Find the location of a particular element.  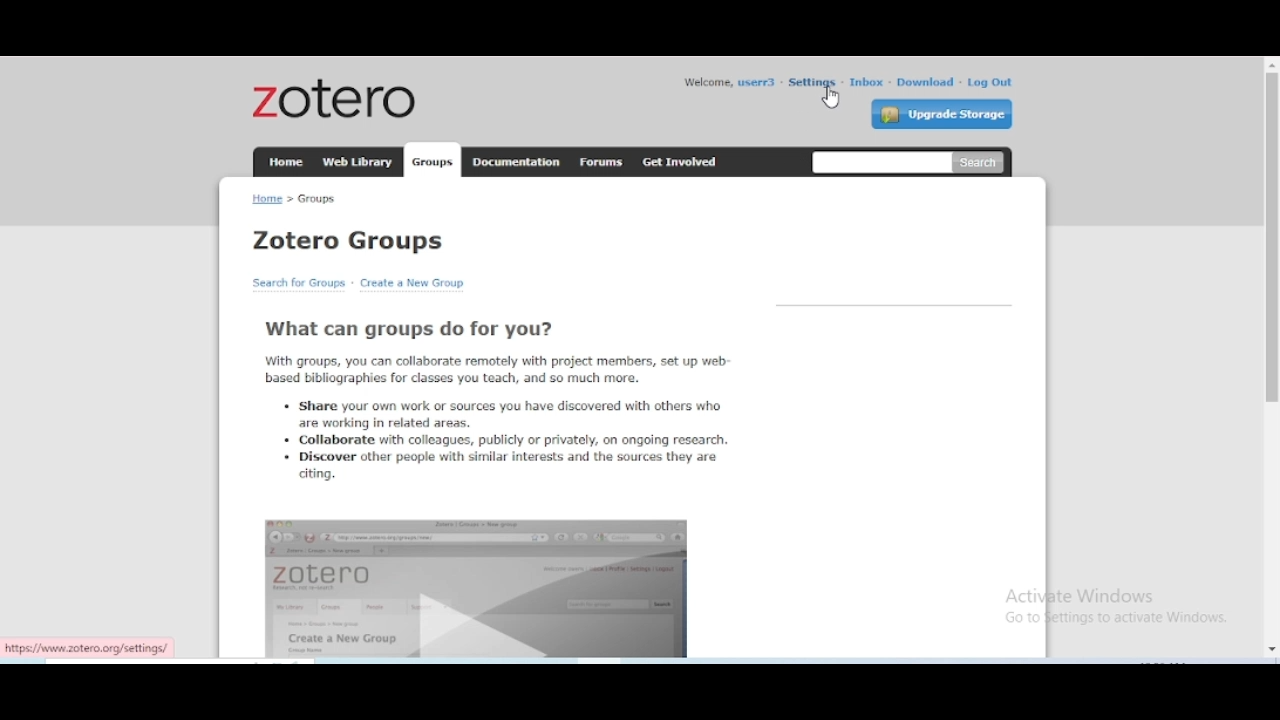

home is located at coordinates (267, 199).